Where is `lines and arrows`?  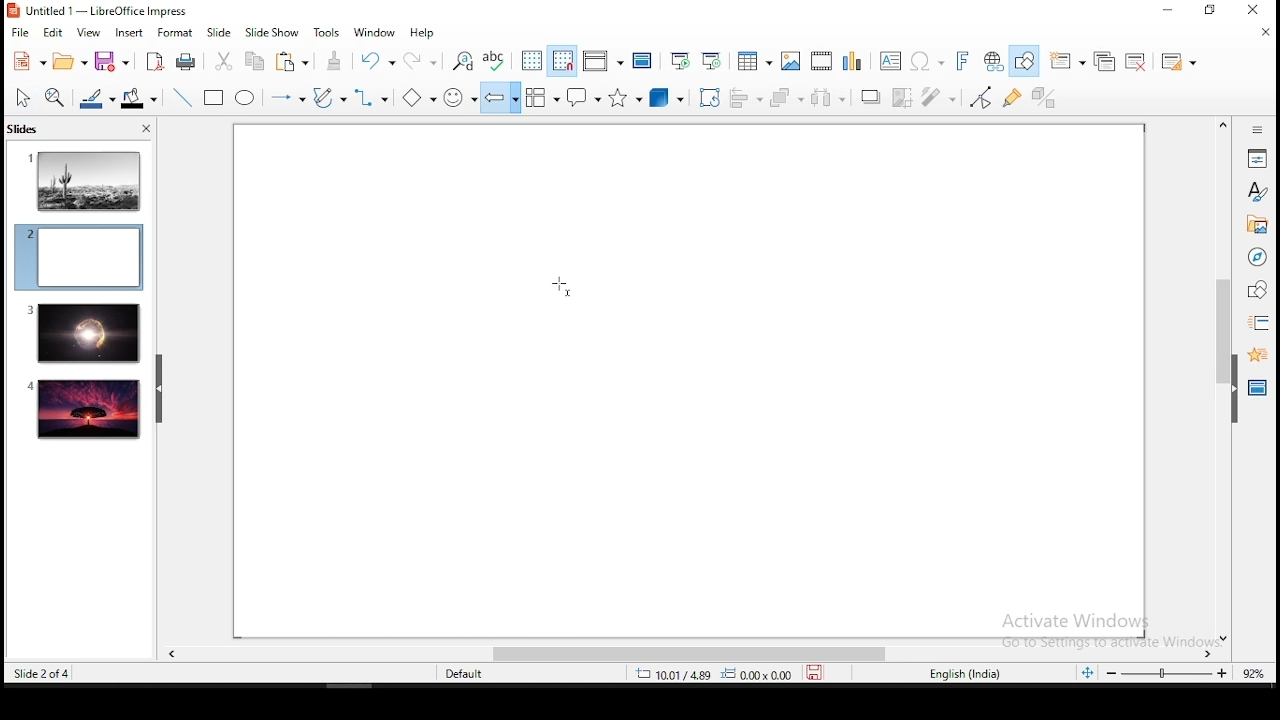 lines and arrows is located at coordinates (287, 98).